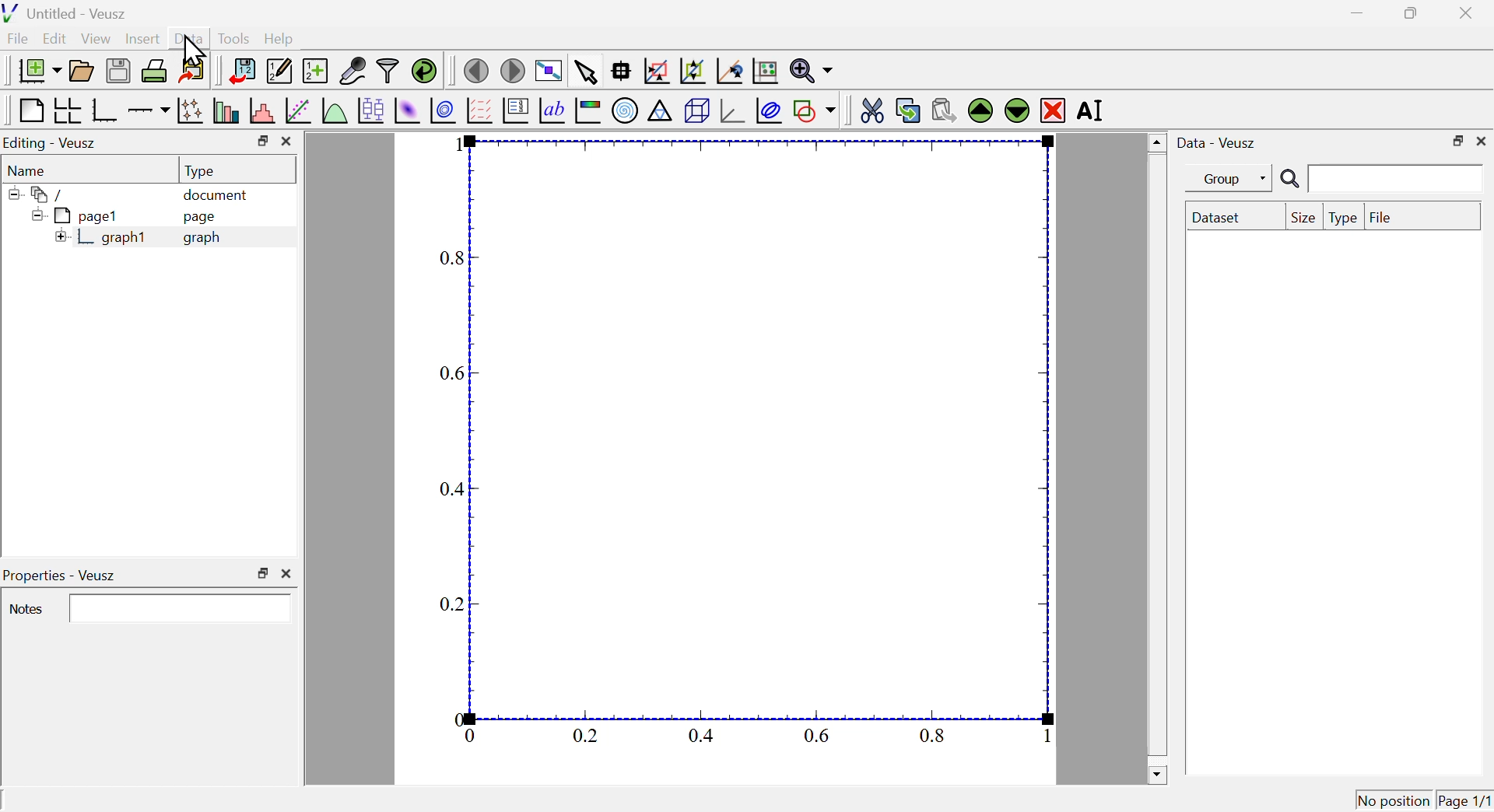 This screenshot has width=1494, height=812. I want to click on no position, so click(1394, 799).